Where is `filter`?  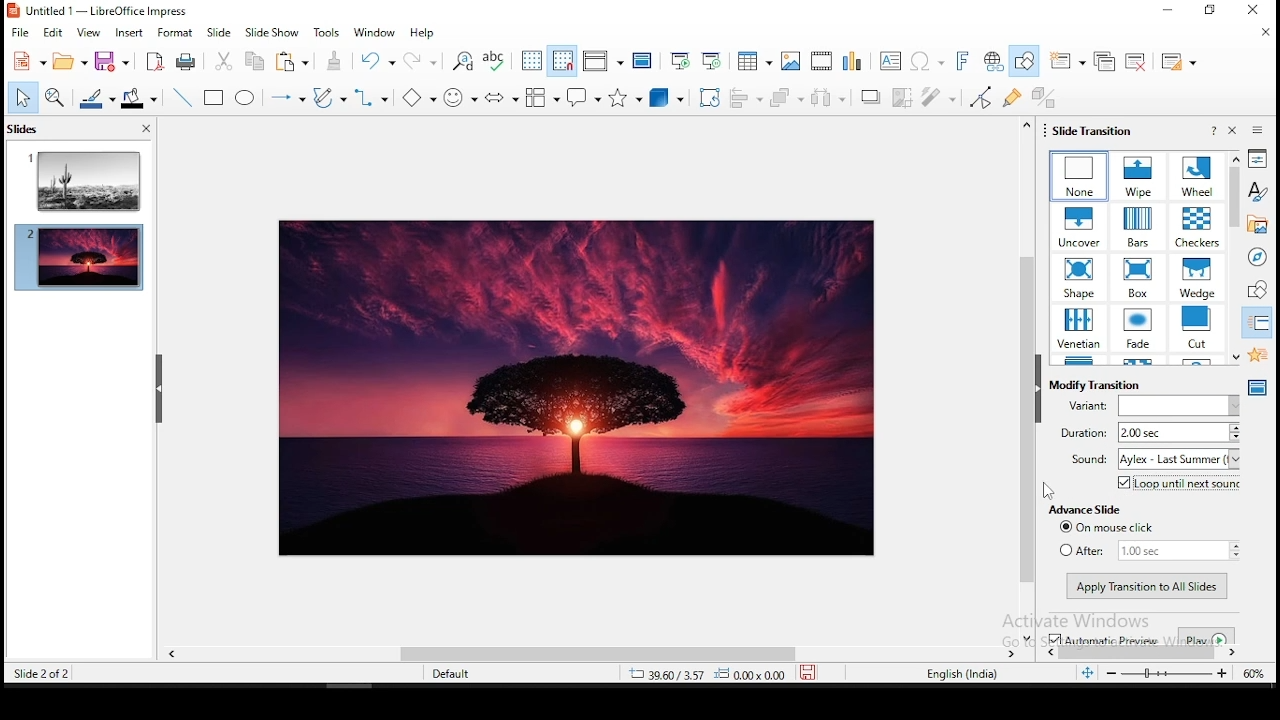
filter is located at coordinates (941, 98).